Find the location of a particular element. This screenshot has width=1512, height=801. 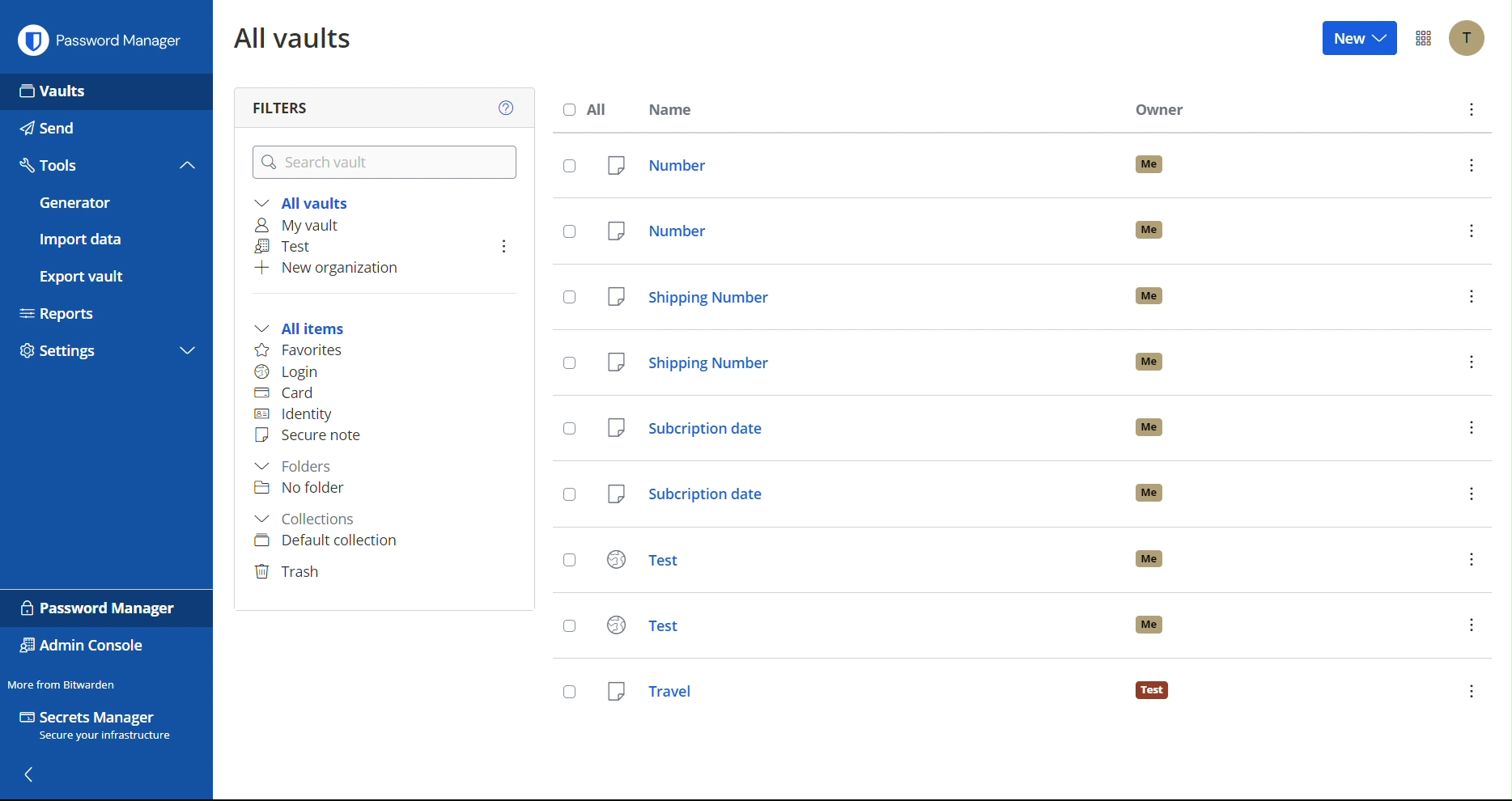

All items is located at coordinates (307, 329).